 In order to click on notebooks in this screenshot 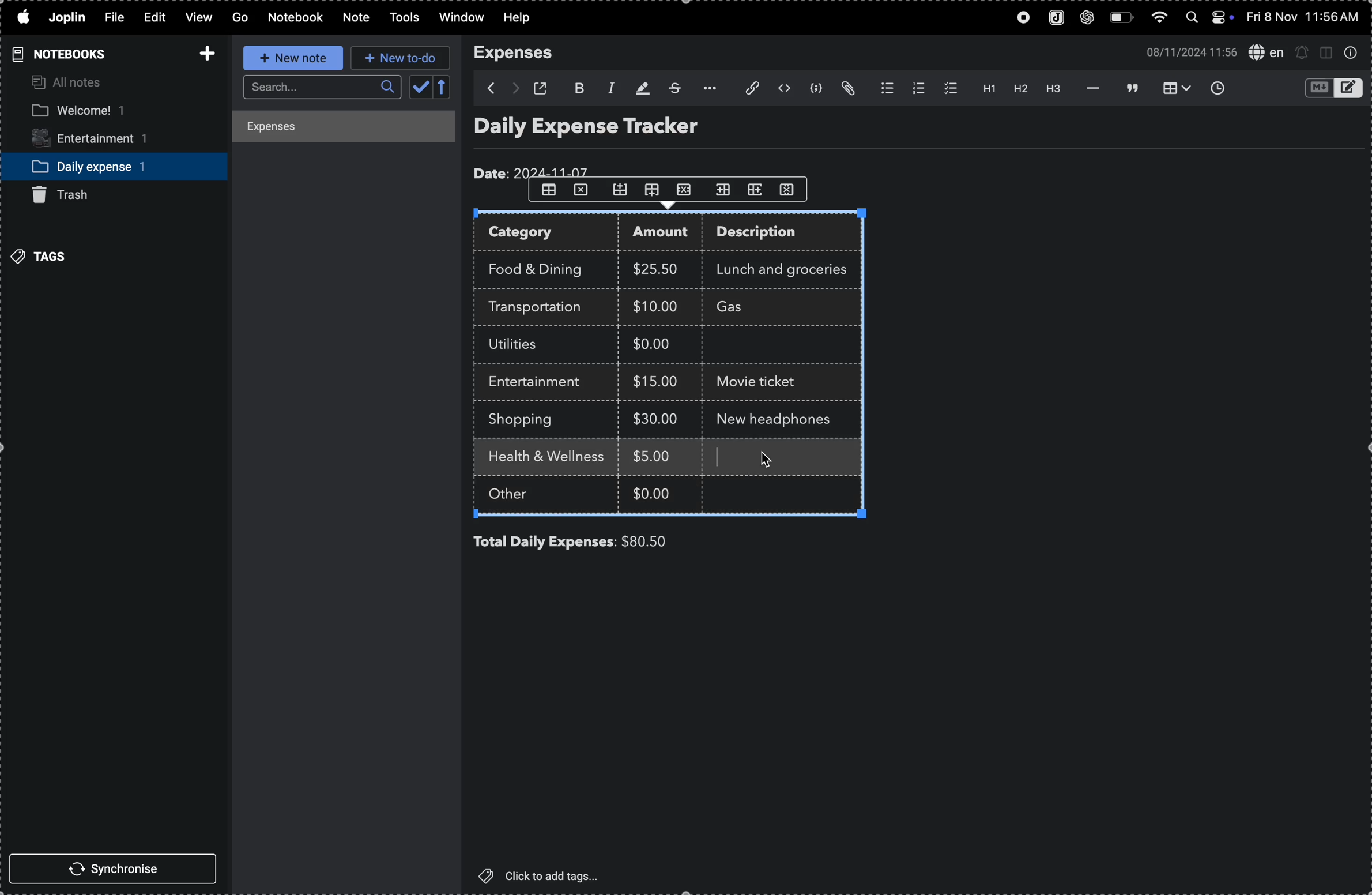, I will do `click(56, 54)`.